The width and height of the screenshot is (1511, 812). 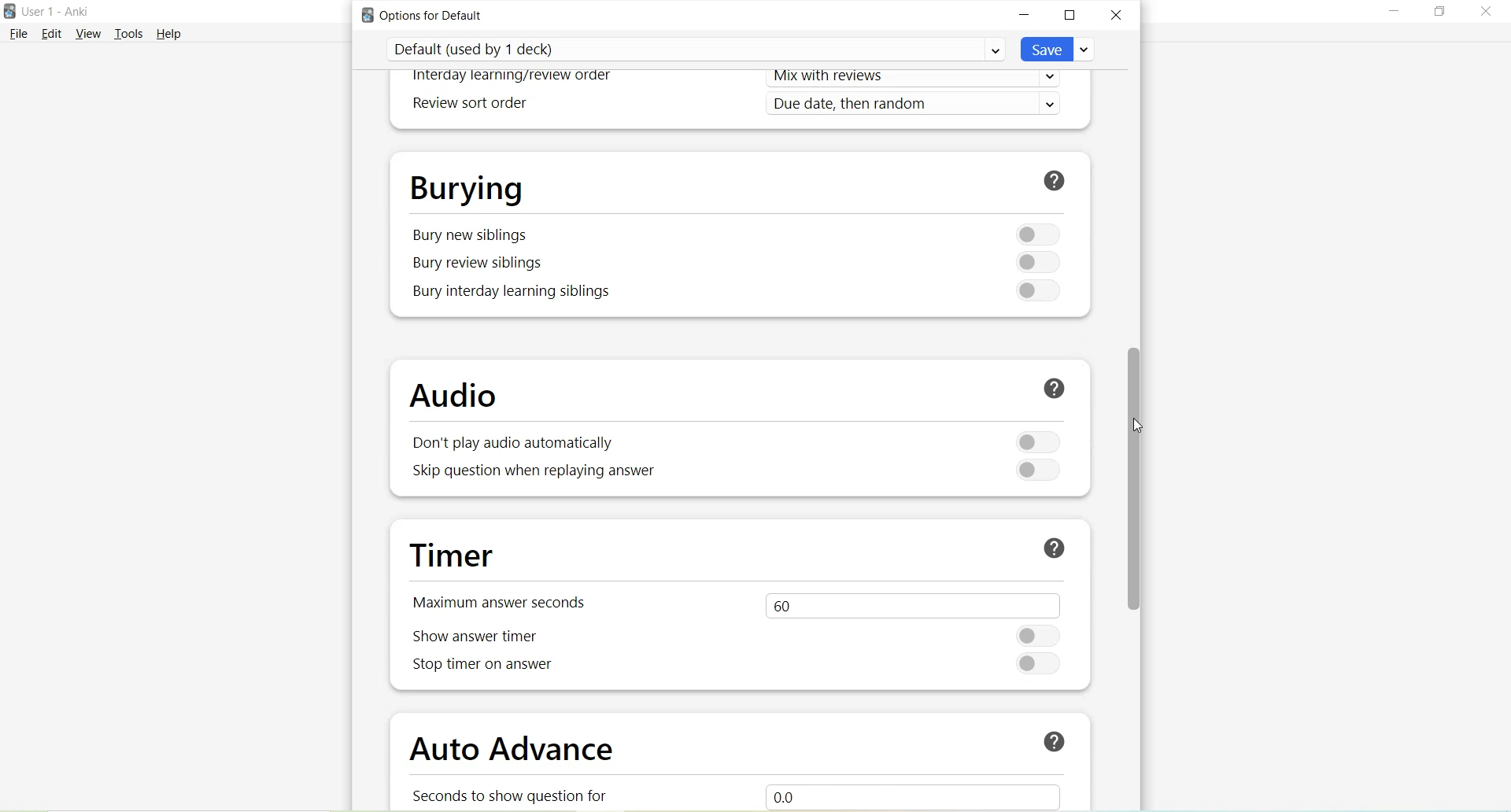 What do you see at coordinates (467, 104) in the screenshot?
I see `Review sort order` at bounding box center [467, 104].